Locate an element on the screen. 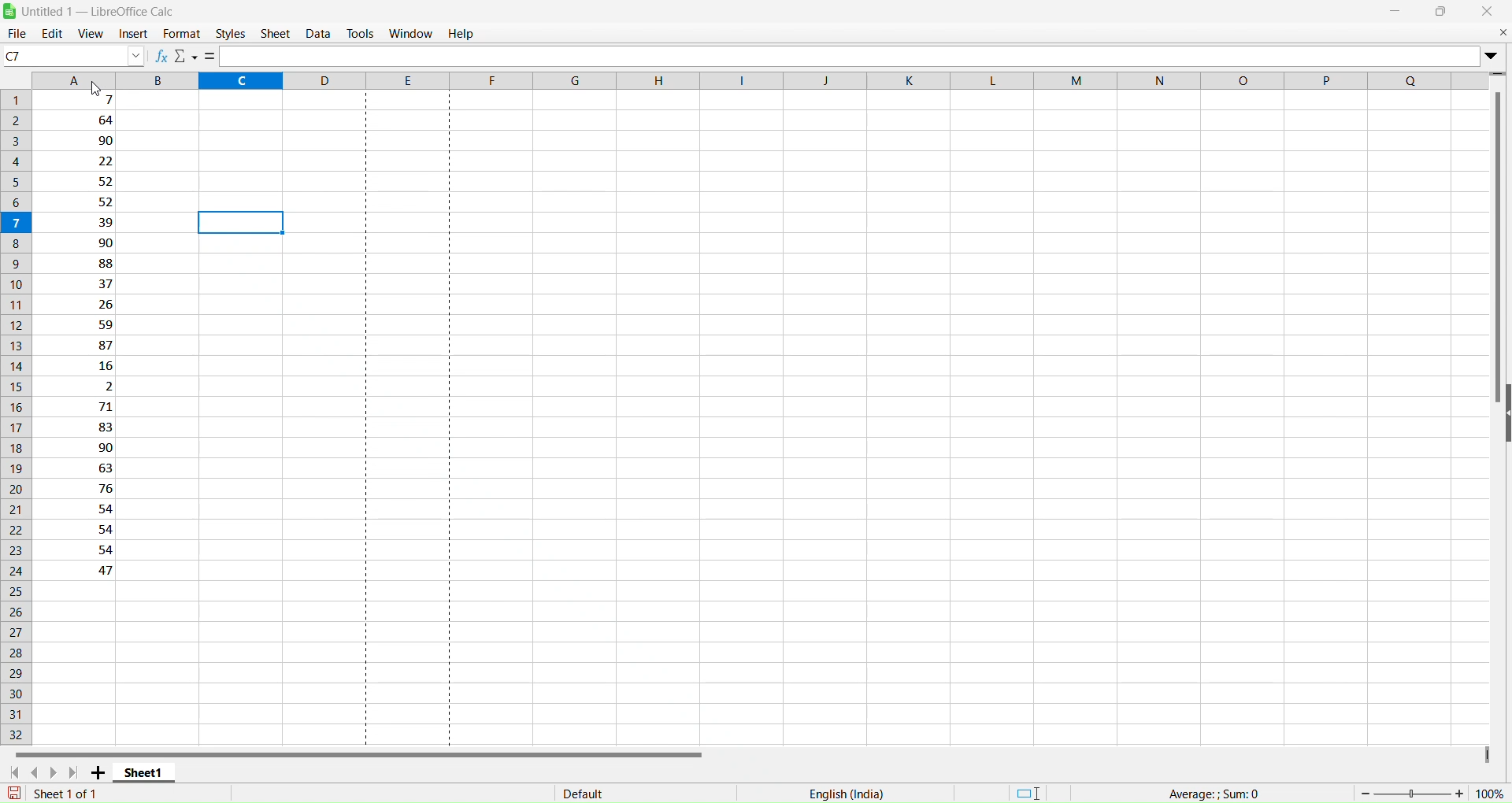 The image size is (1512, 803). Formula is located at coordinates (212, 57).